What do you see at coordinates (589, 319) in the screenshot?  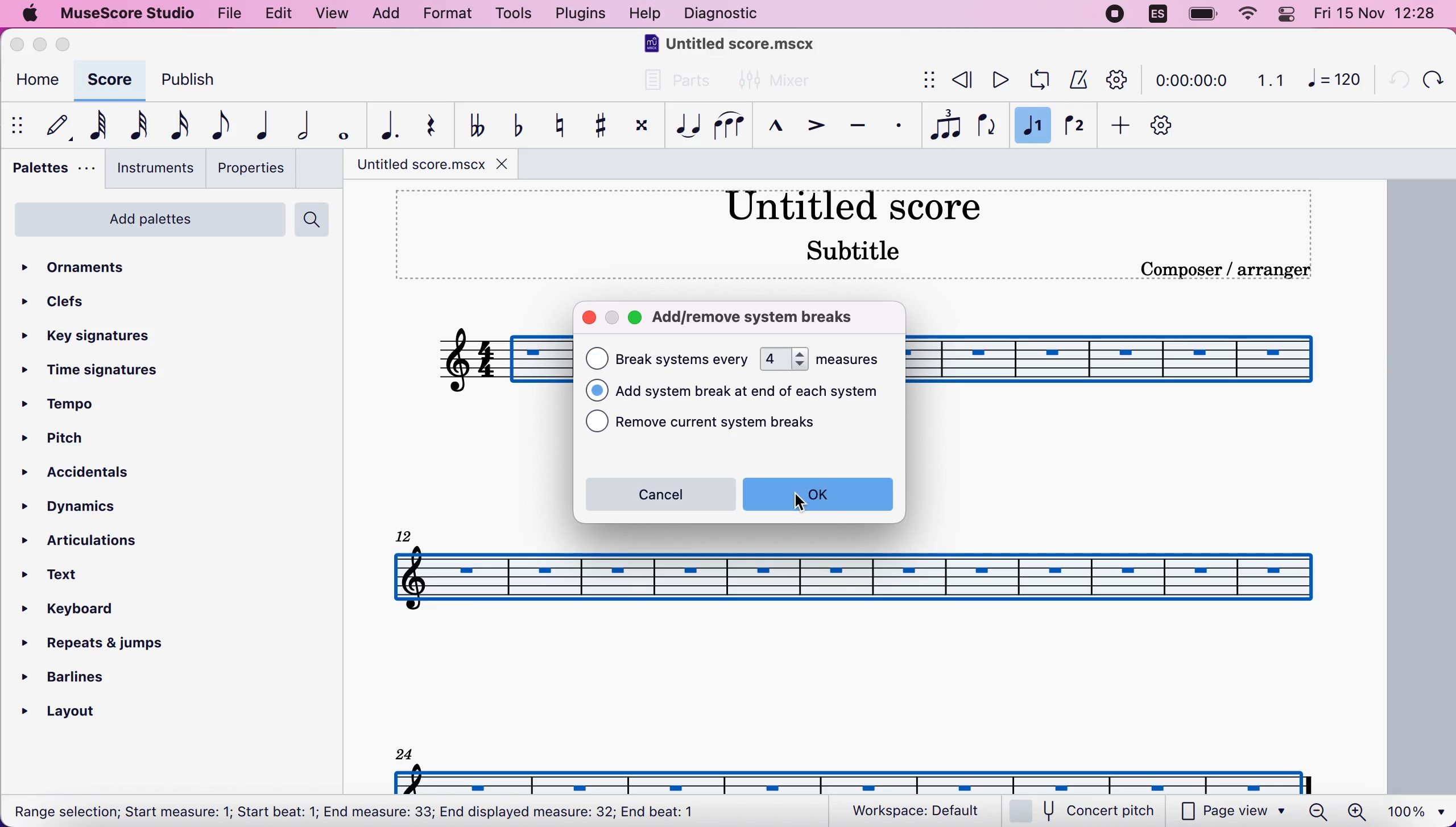 I see `close` at bounding box center [589, 319].